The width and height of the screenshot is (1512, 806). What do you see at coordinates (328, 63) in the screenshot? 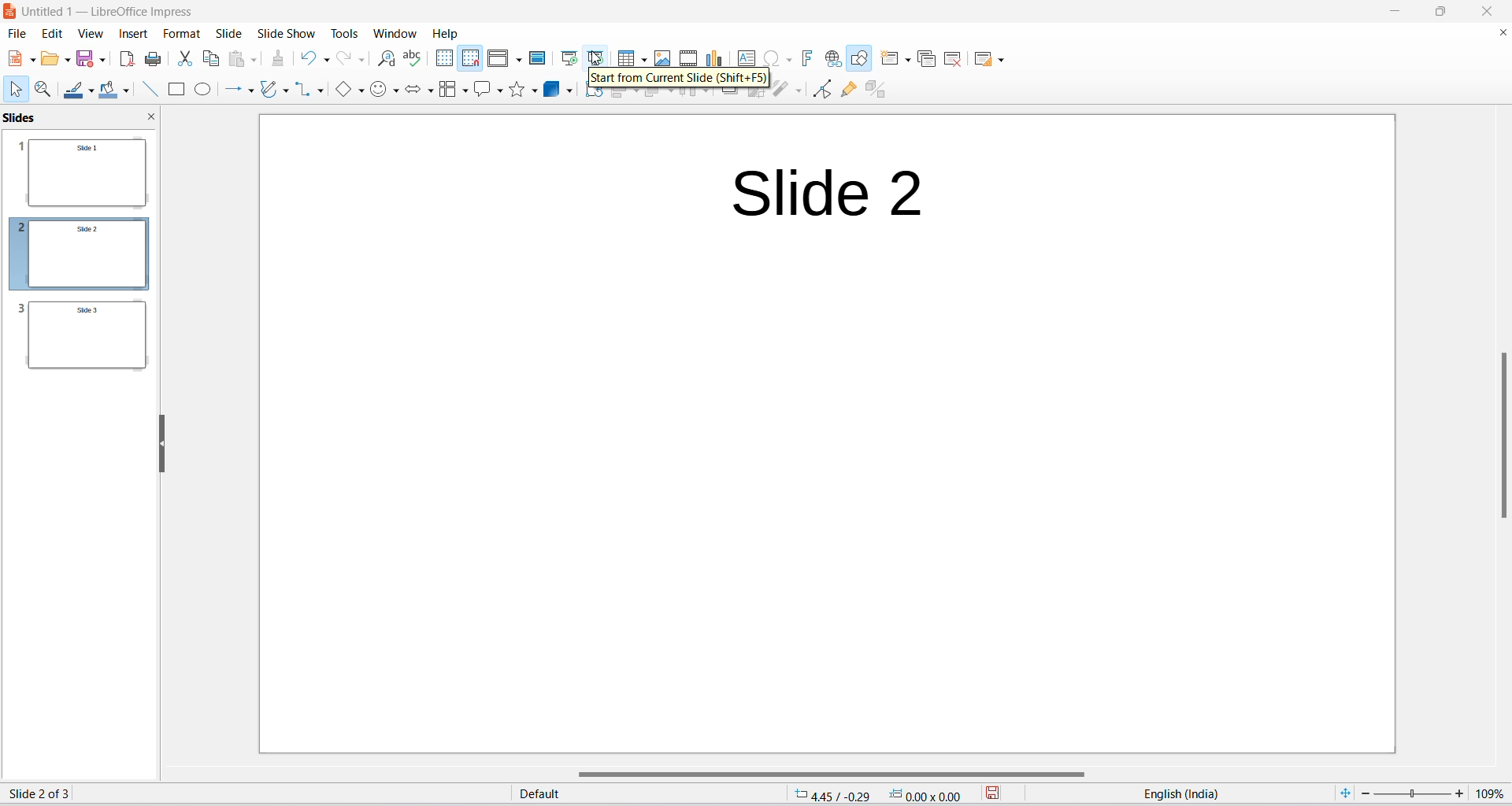
I see `undo options` at bounding box center [328, 63].